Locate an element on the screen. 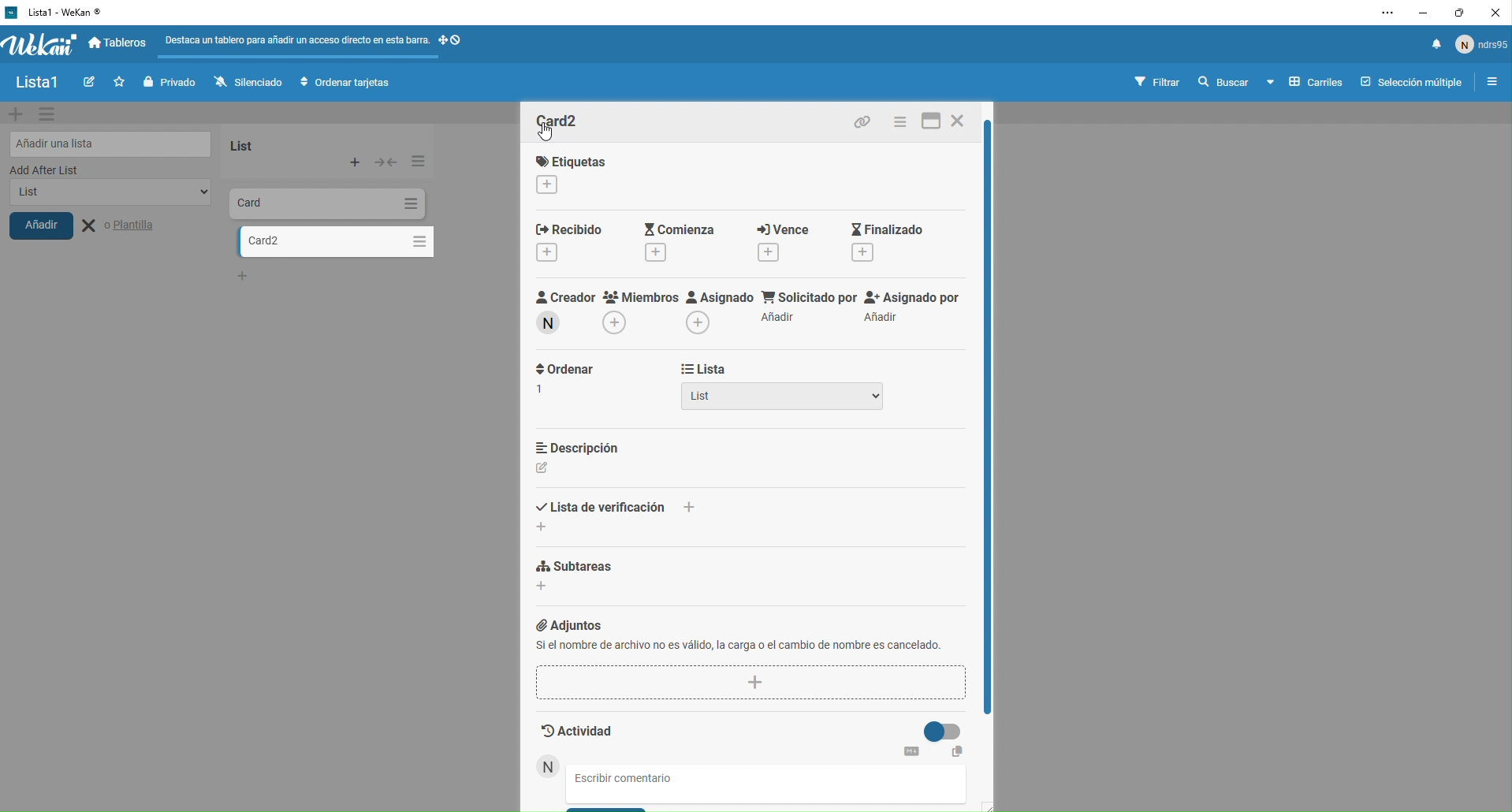 The height and width of the screenshot is (812, 1512). close is located at coordinates (963, 124).